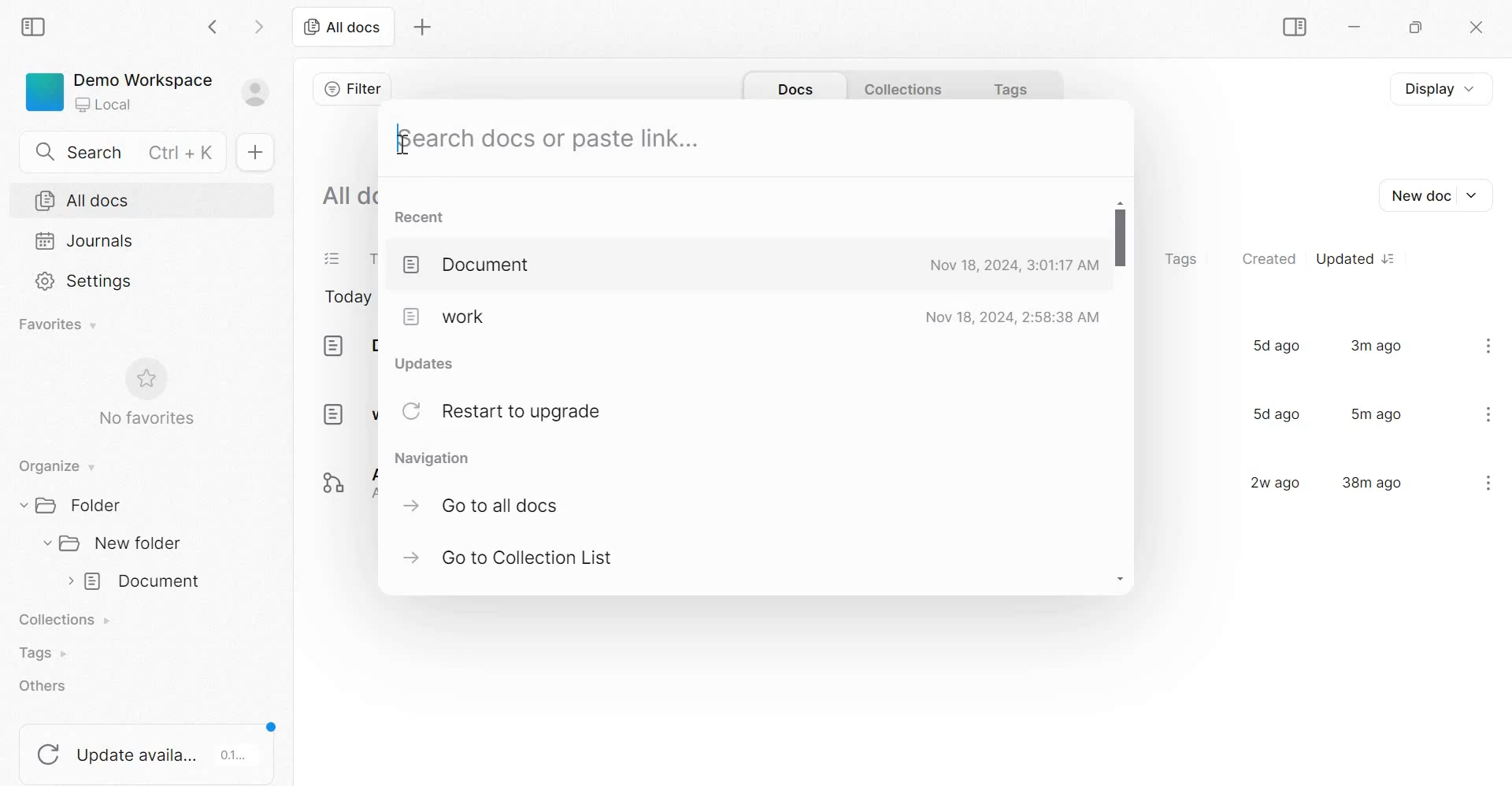 Image resolution: width=1512 pixels, height=786 pixels. Describe the element at coordinates (1433, 195) in the screenshot. I see `New doc` at that location.